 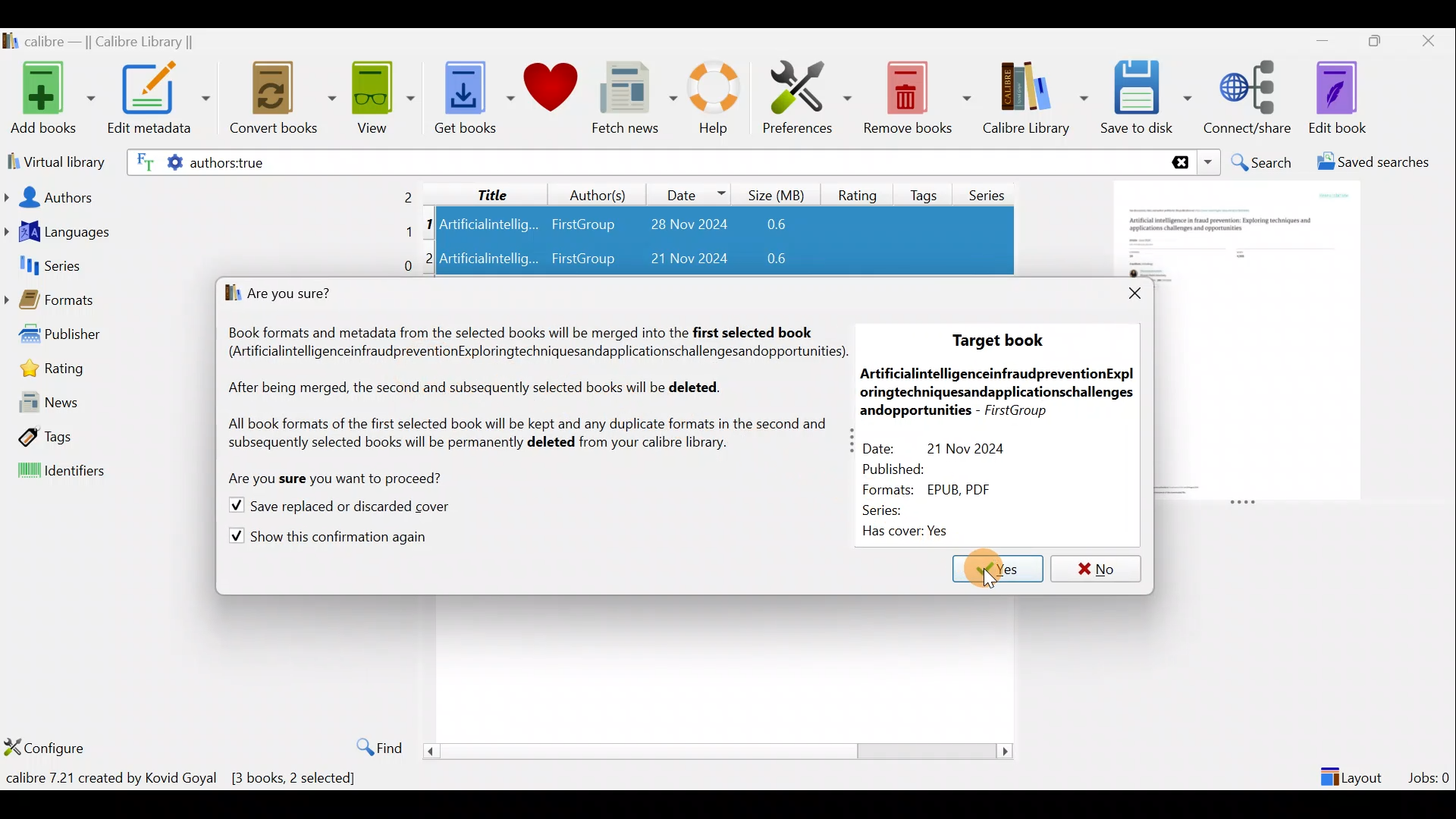 What do you see at coordinates (1335, 99) in the screenshot?
I see `Edit book` at bounding box center [1335, 99].